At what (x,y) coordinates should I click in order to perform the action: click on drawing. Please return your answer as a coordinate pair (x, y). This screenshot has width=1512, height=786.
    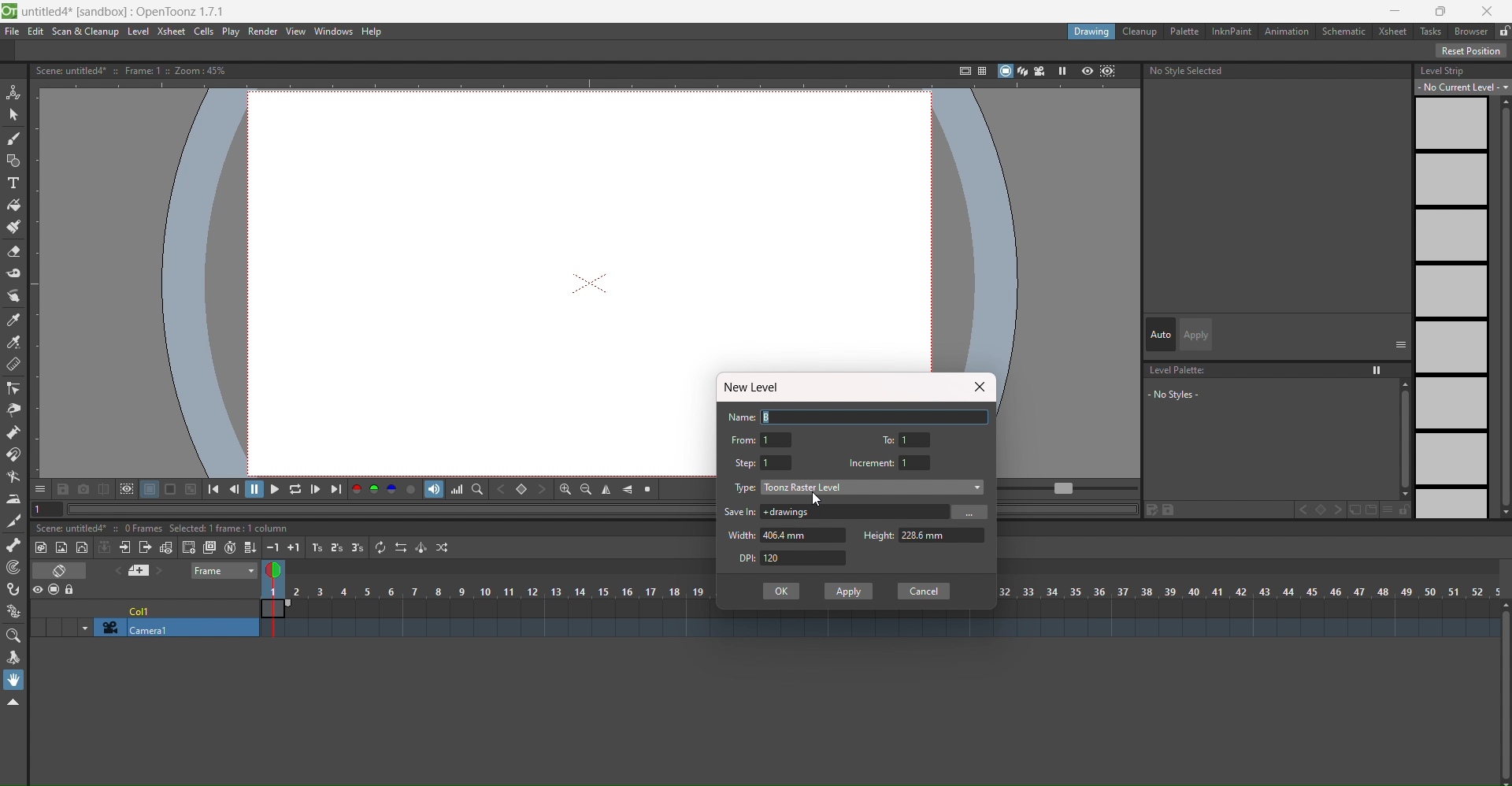
    Looking at the image, I should click on (1092, 33).